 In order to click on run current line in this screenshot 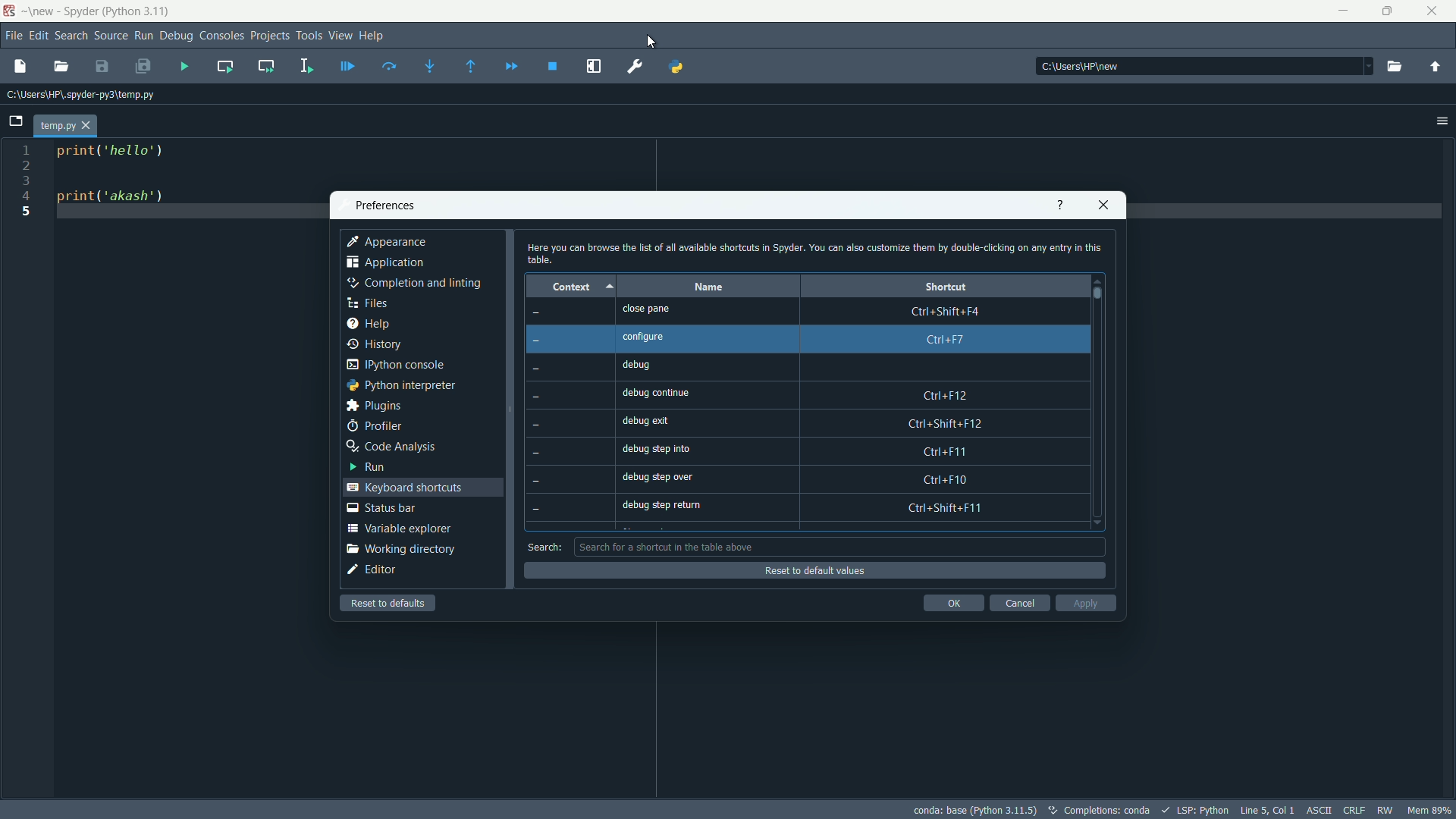, I will do `click(389, 66)`.